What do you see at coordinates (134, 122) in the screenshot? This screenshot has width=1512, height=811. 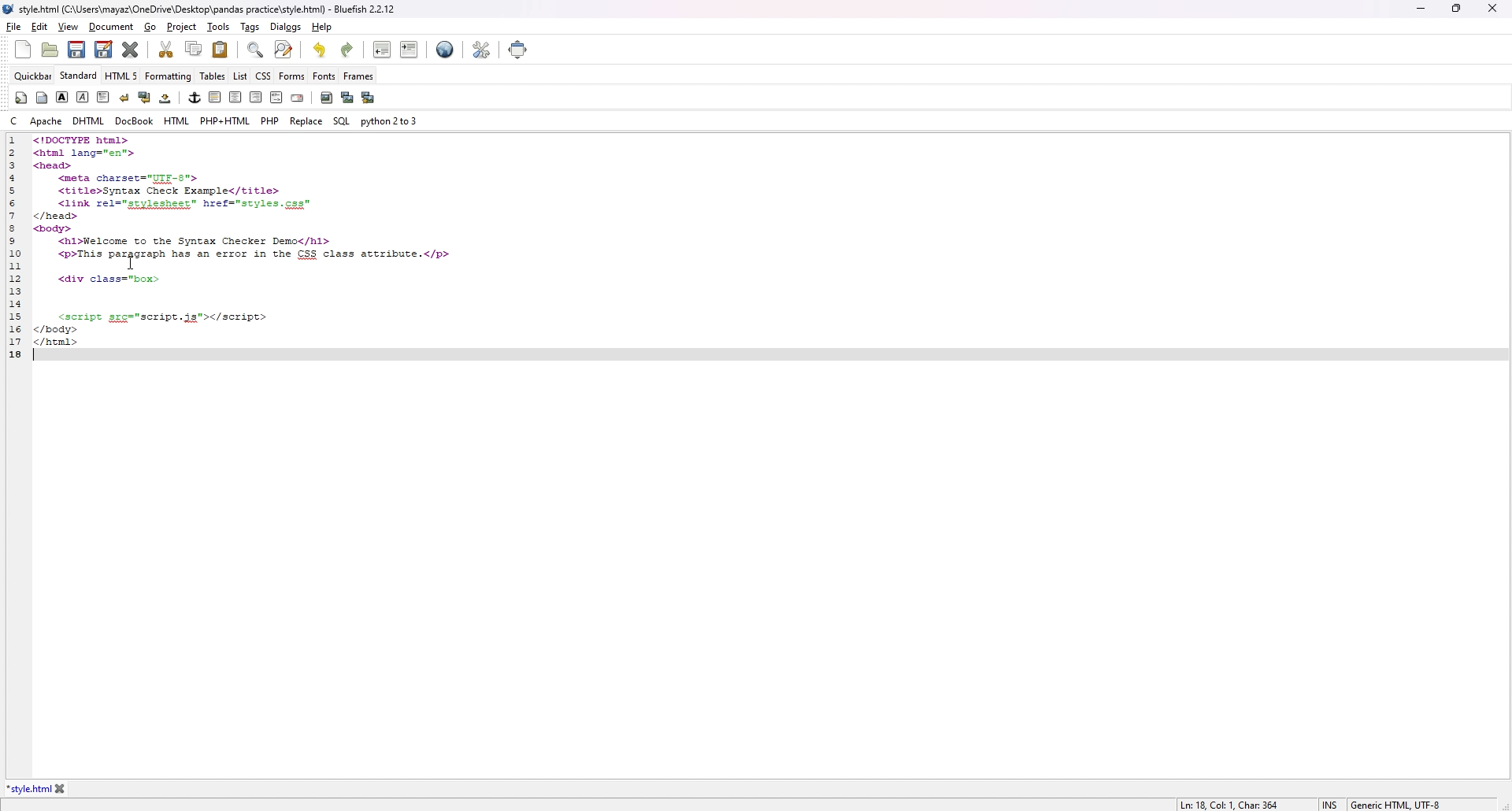 I see `docbook` at bounding box center [134, 122].